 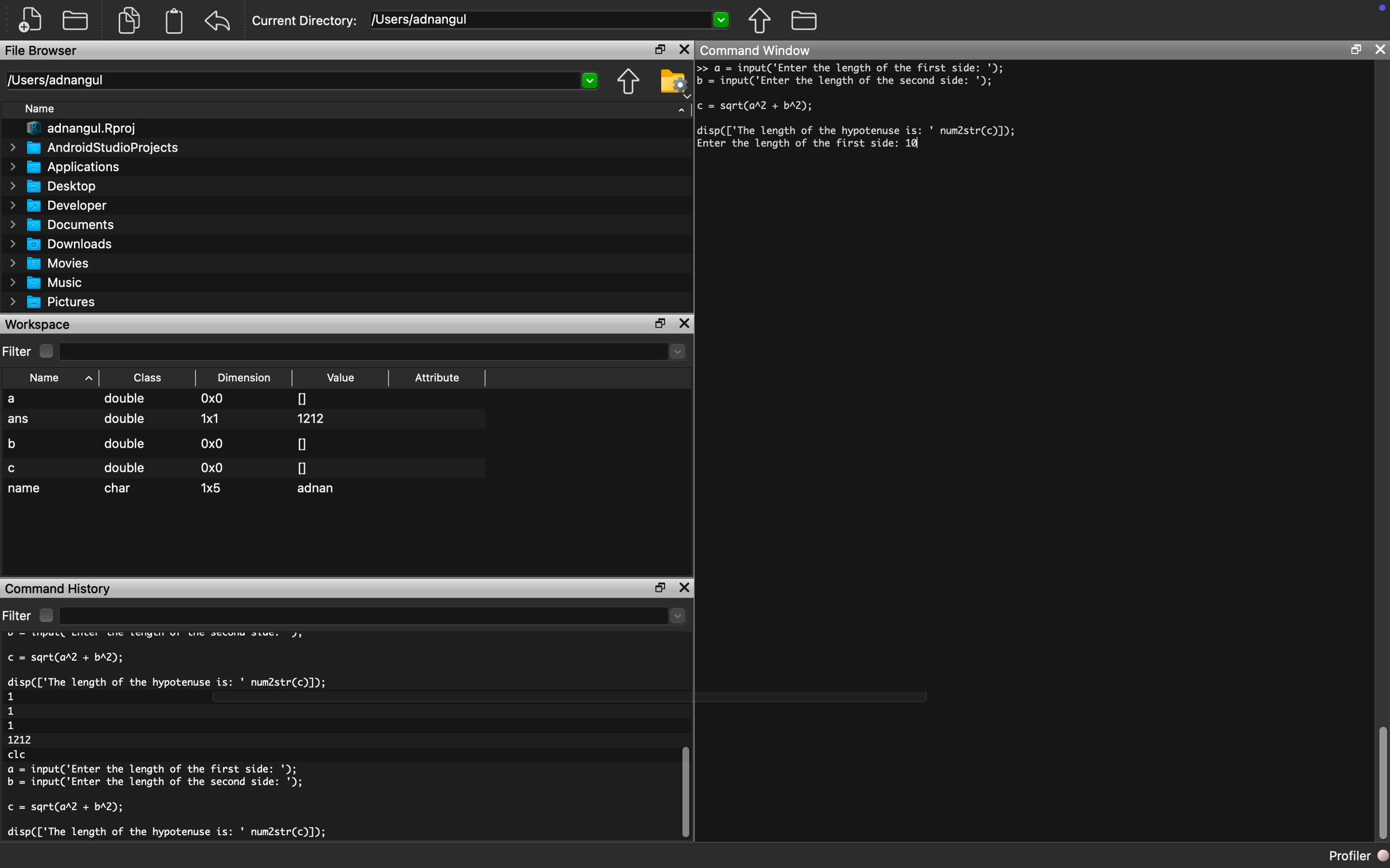 What do you see at coordinates (65, 224) in the screenshot?
I see `Documents` at bounding box center [65, 224].